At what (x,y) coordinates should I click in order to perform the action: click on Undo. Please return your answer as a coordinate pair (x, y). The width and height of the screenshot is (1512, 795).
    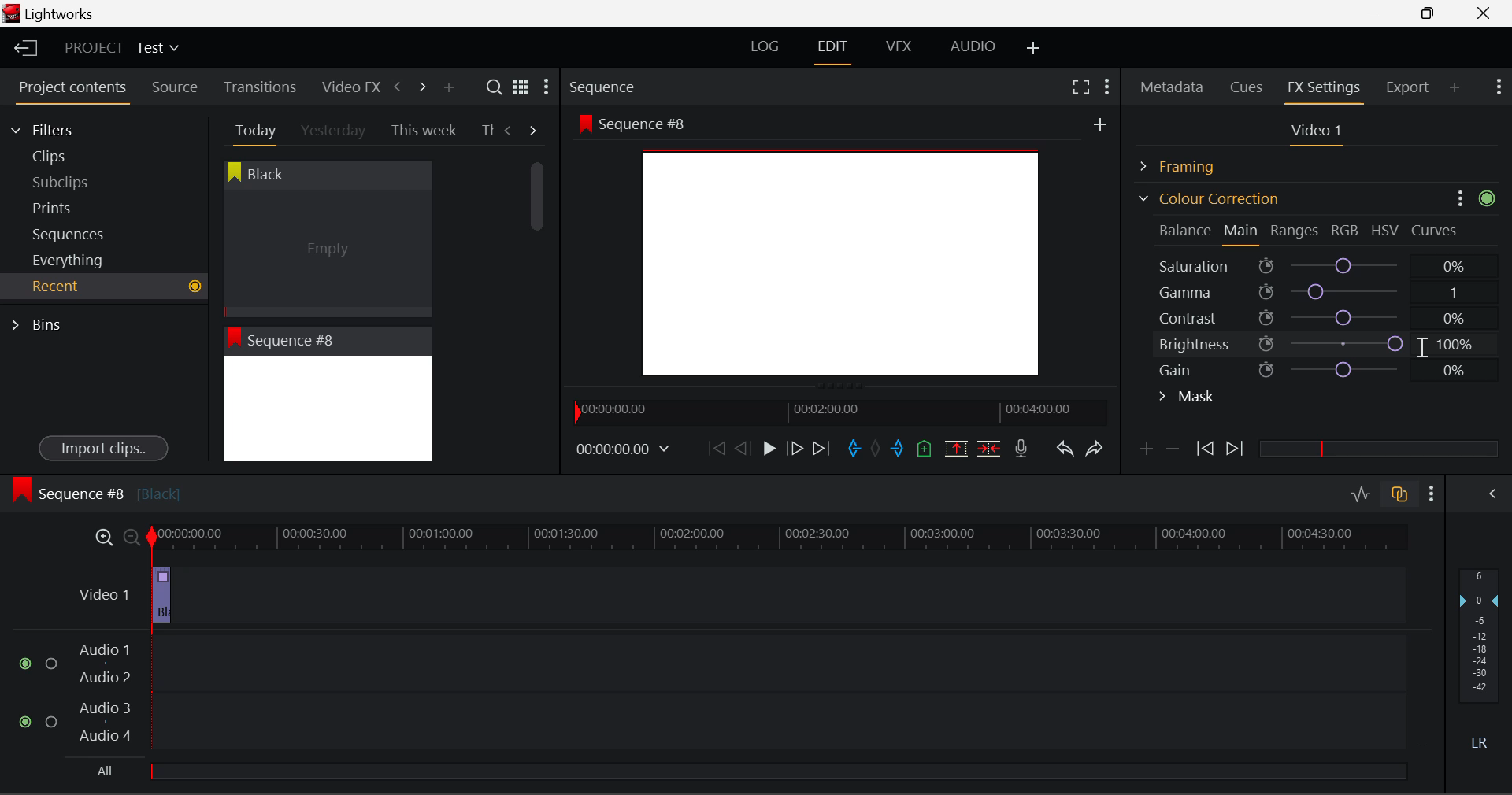
    Looking at the image, I should click on (1064, 452).